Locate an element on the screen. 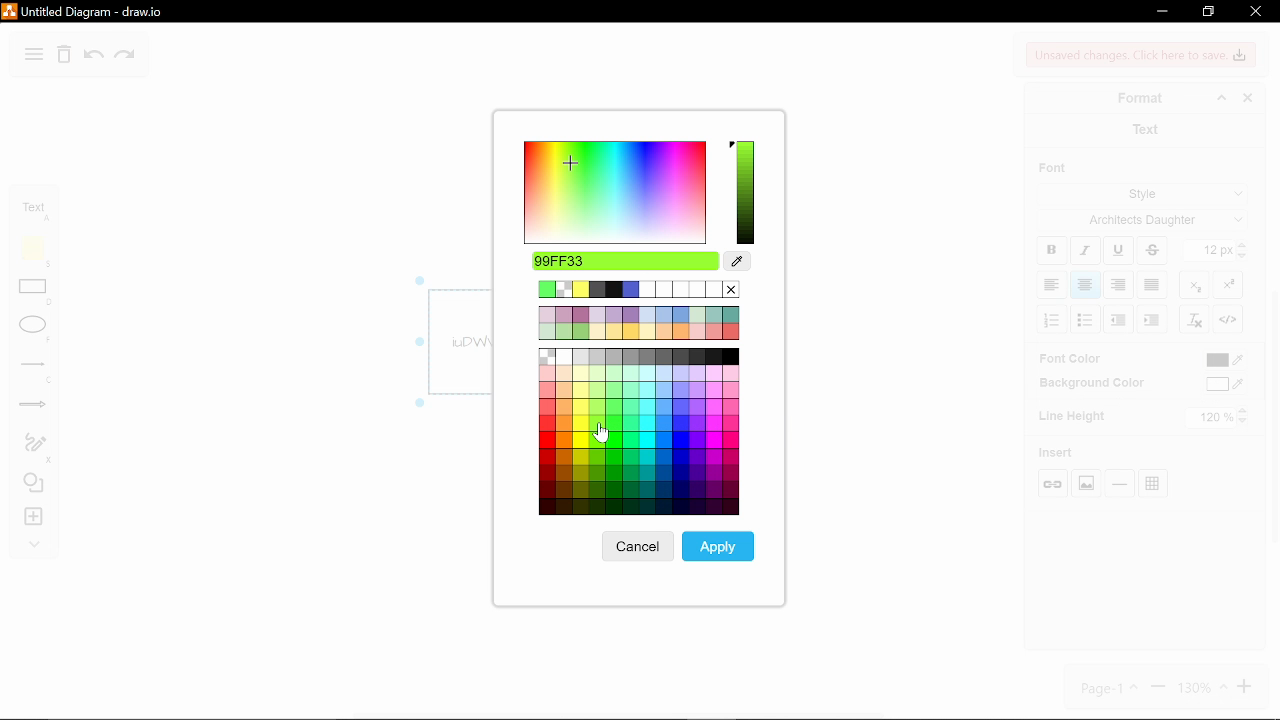  minimize is located at coordinates (1162, 13).